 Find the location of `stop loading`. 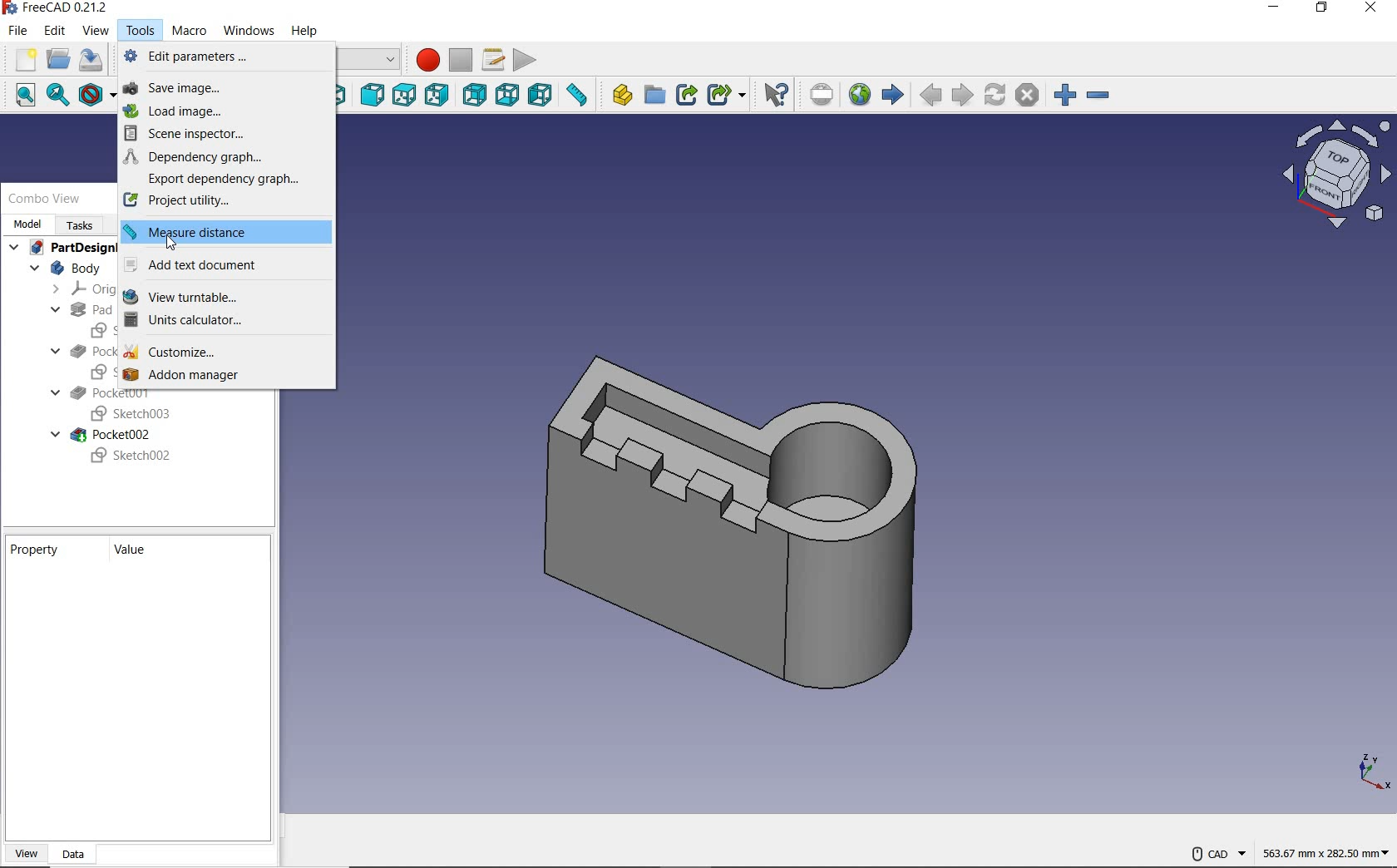

stop loading is located at coordinates (1029, 96).